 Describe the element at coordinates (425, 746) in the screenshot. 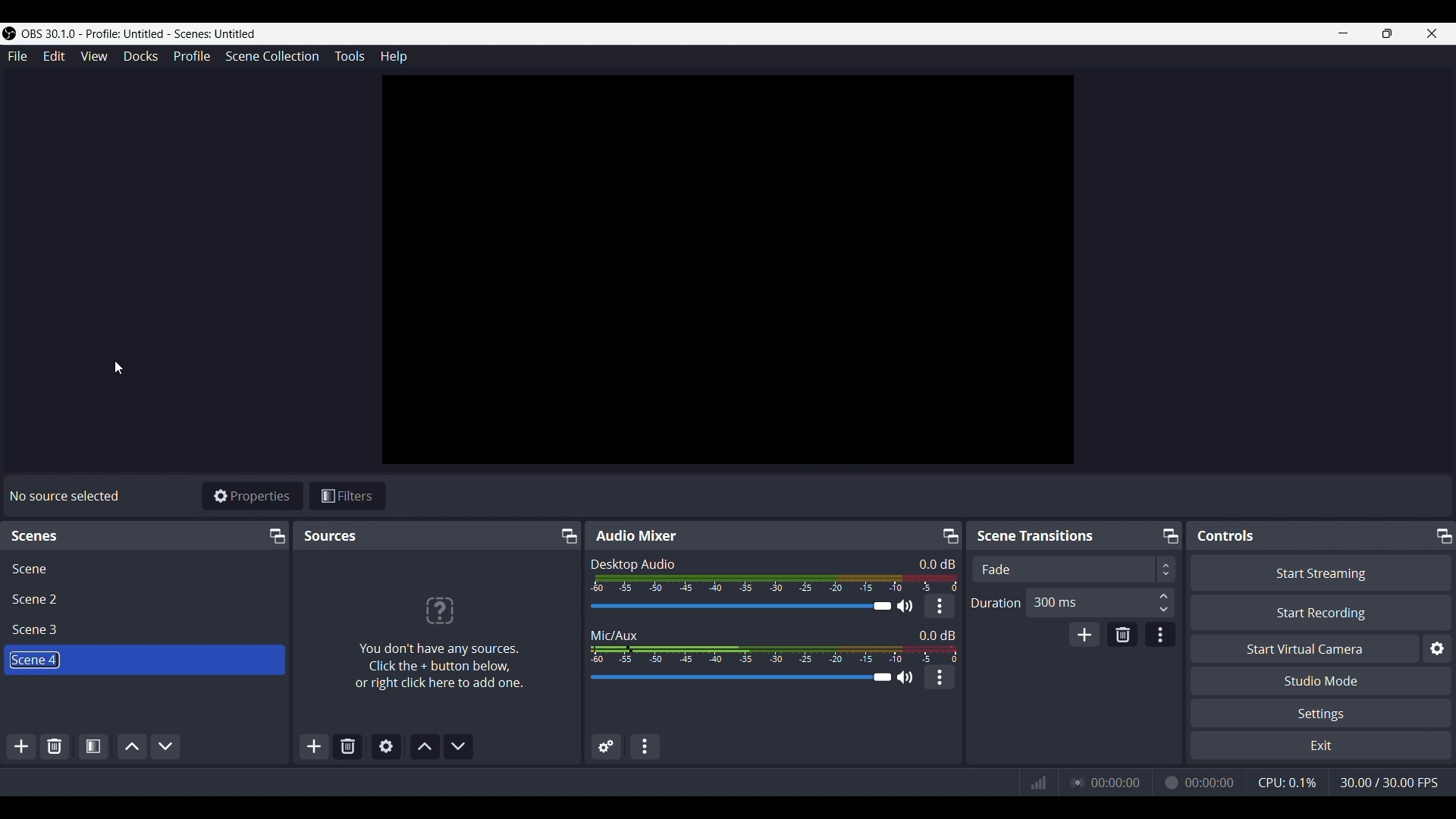

I see `Move source(s) up` at that location.